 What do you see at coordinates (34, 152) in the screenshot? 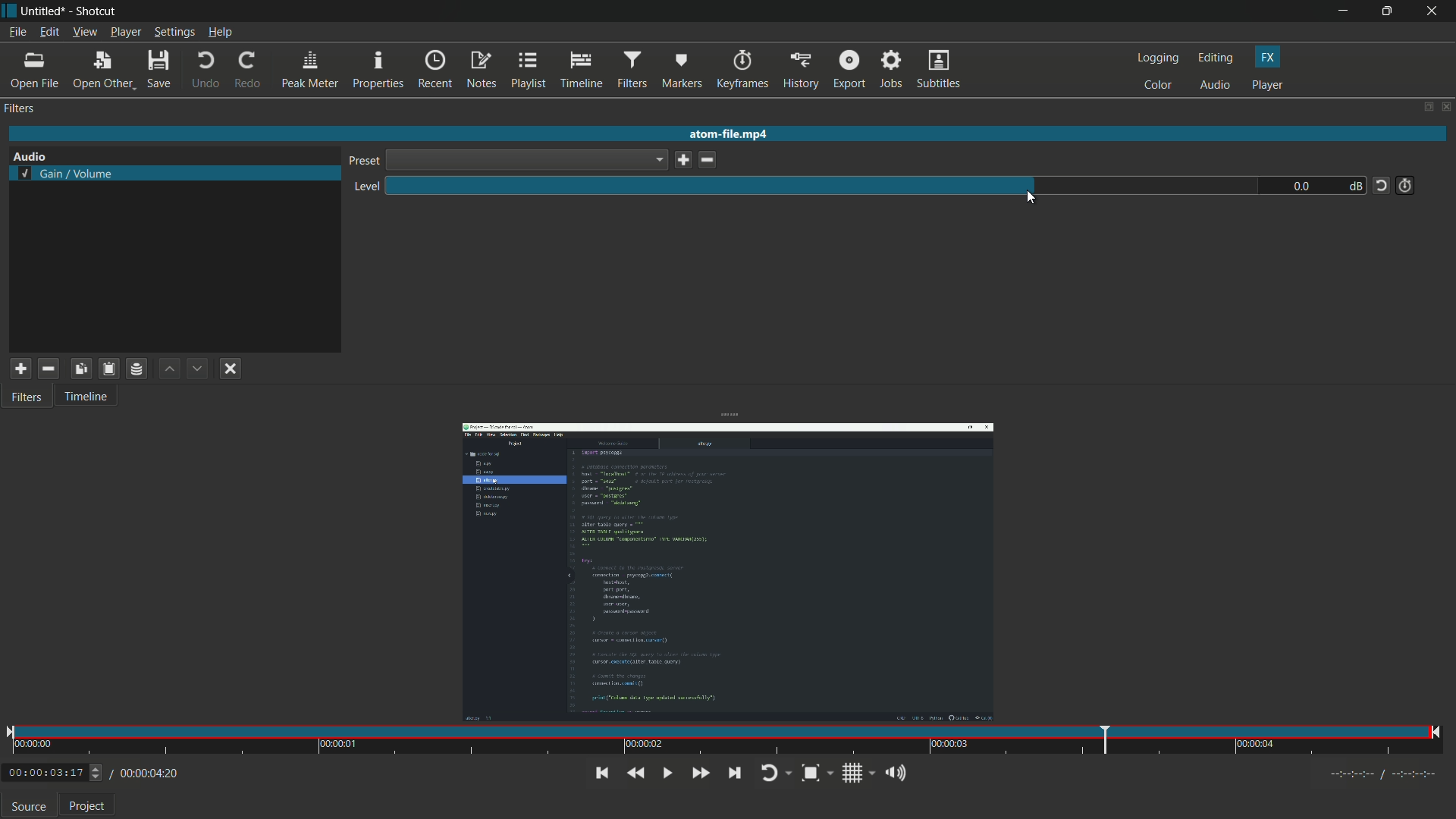
I see `Audio` at bounding box center [34, 152].